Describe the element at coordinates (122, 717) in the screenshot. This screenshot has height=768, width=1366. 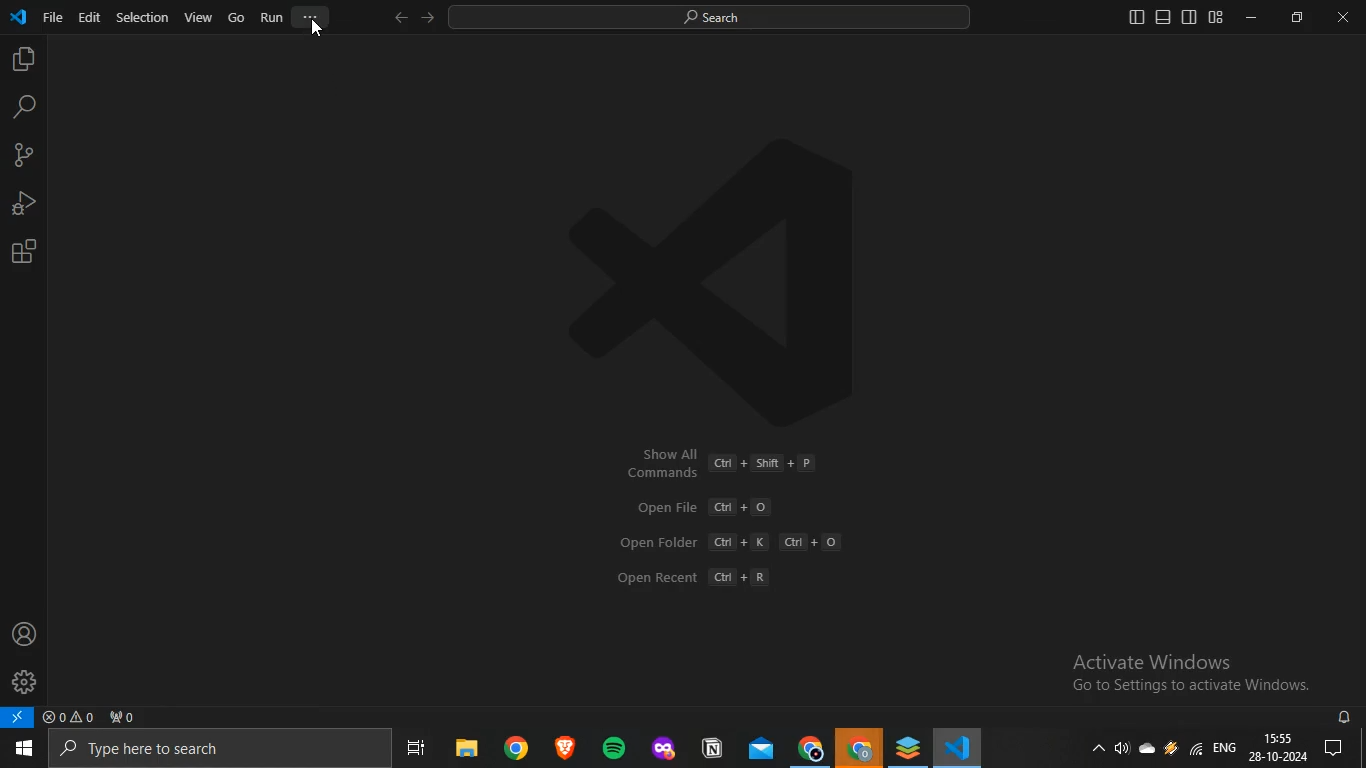
I see `no ports forwarded` at that location.